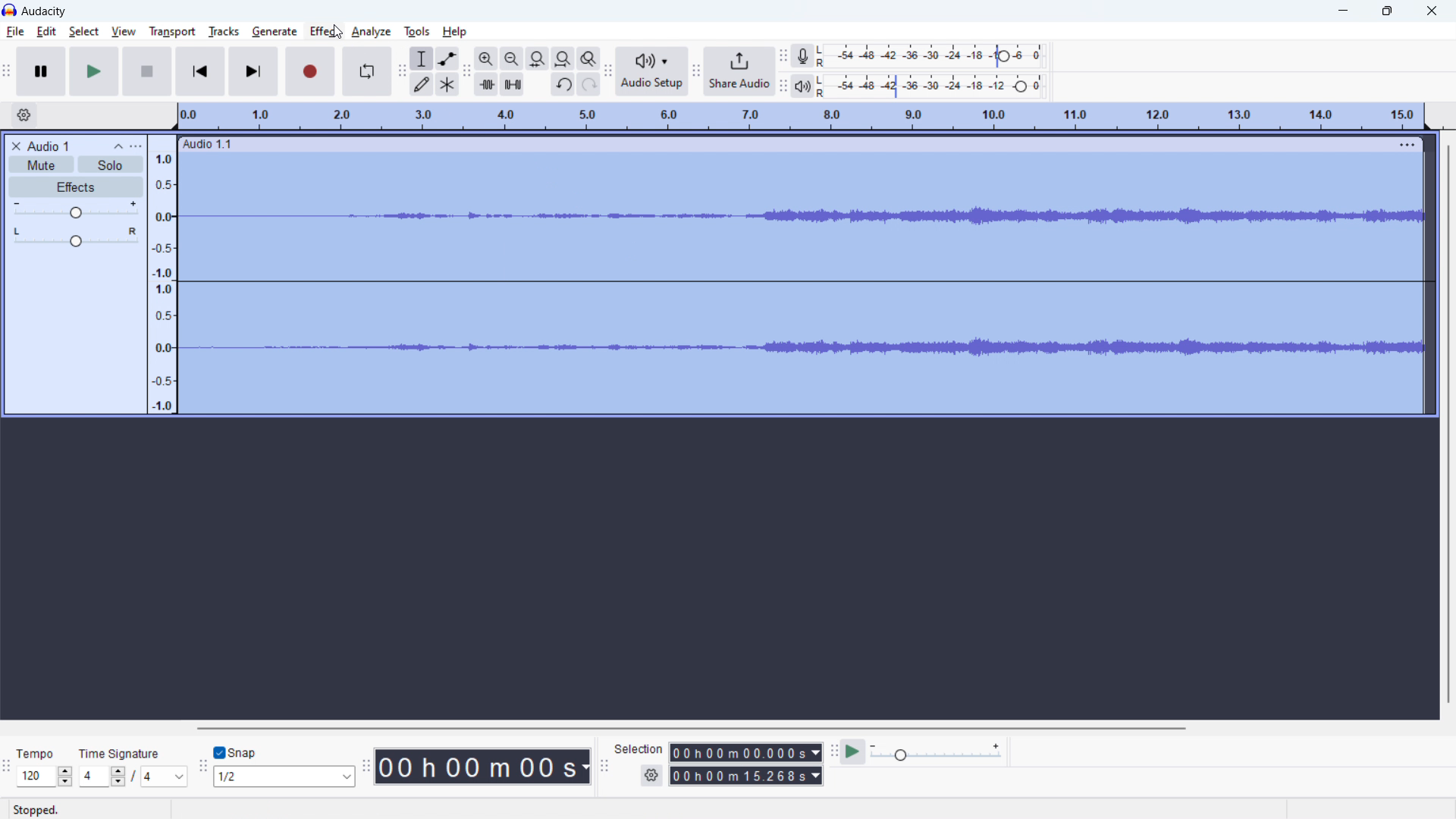 The image size is (1456, 819). What do you see at coordinates (807, 55) in the screenshot?
I see `recording meter` at bounding box center [807, 55].